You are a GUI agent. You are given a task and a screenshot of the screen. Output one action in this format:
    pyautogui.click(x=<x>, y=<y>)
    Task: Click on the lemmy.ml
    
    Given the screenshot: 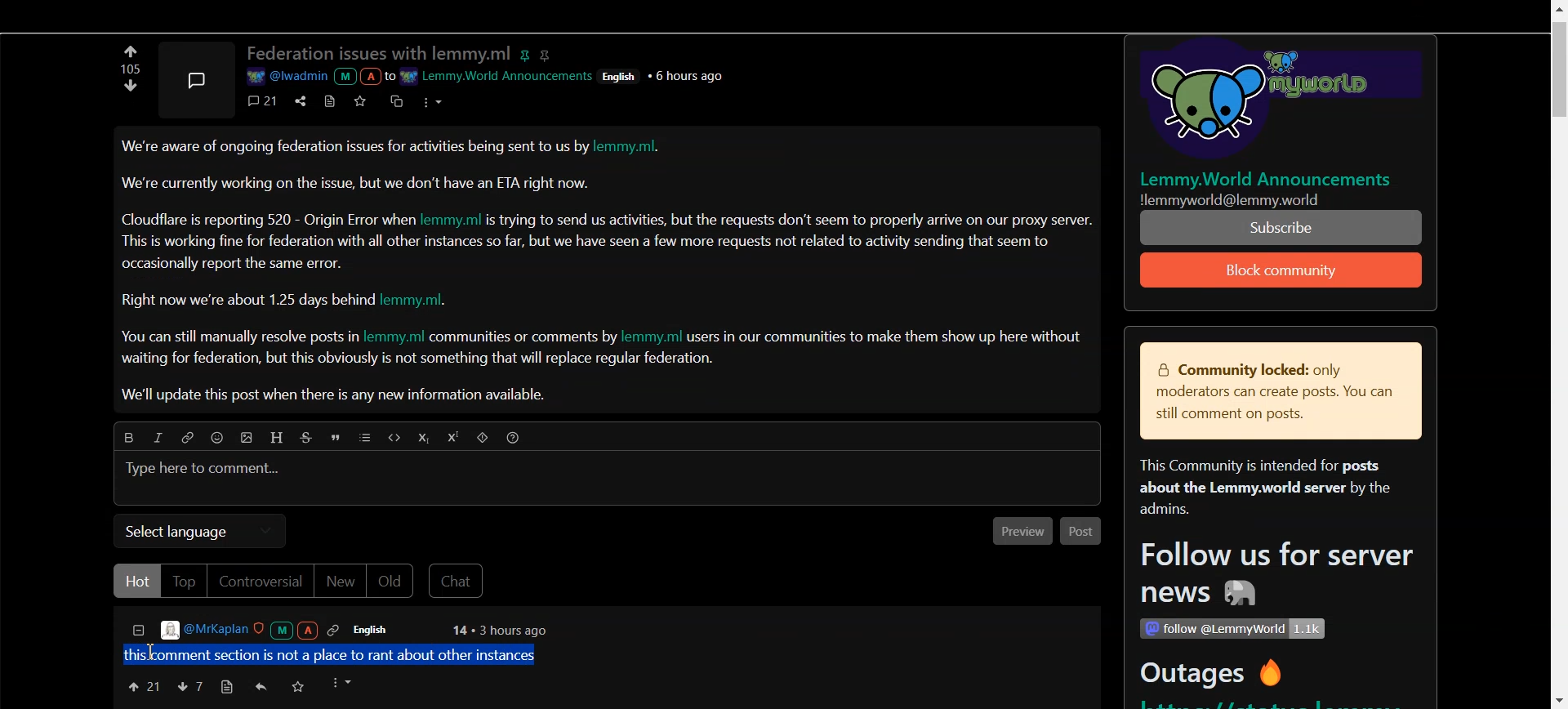 What is the action you would take?
    pyautogui.click(x=653, y=337)
    